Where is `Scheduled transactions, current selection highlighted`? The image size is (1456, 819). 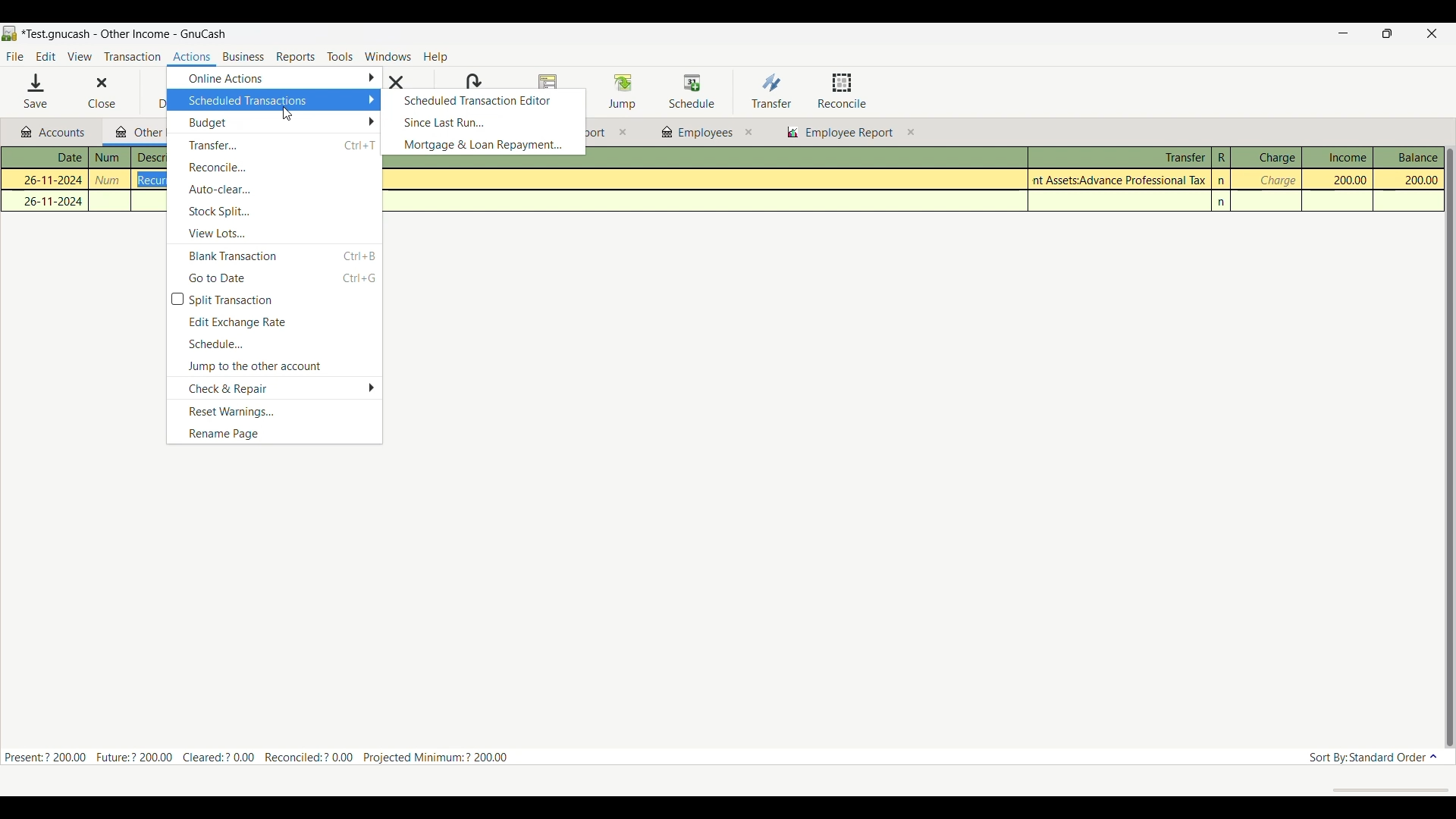 Scheduled transactions, current selection highlighted is located at coordinates (273, 100).